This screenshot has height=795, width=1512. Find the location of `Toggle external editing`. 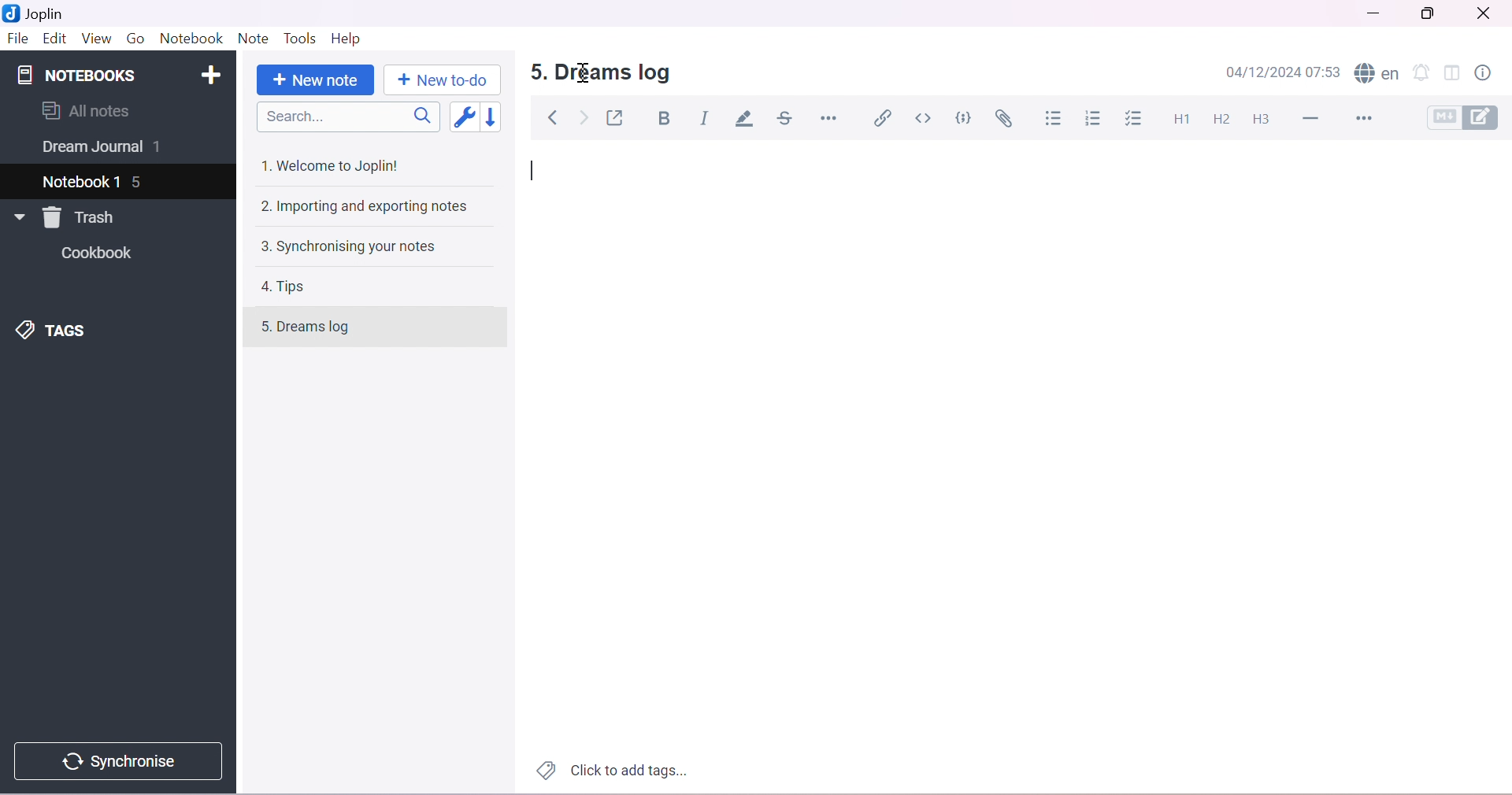

Toggle external editing is located at coordinates (618, 118).